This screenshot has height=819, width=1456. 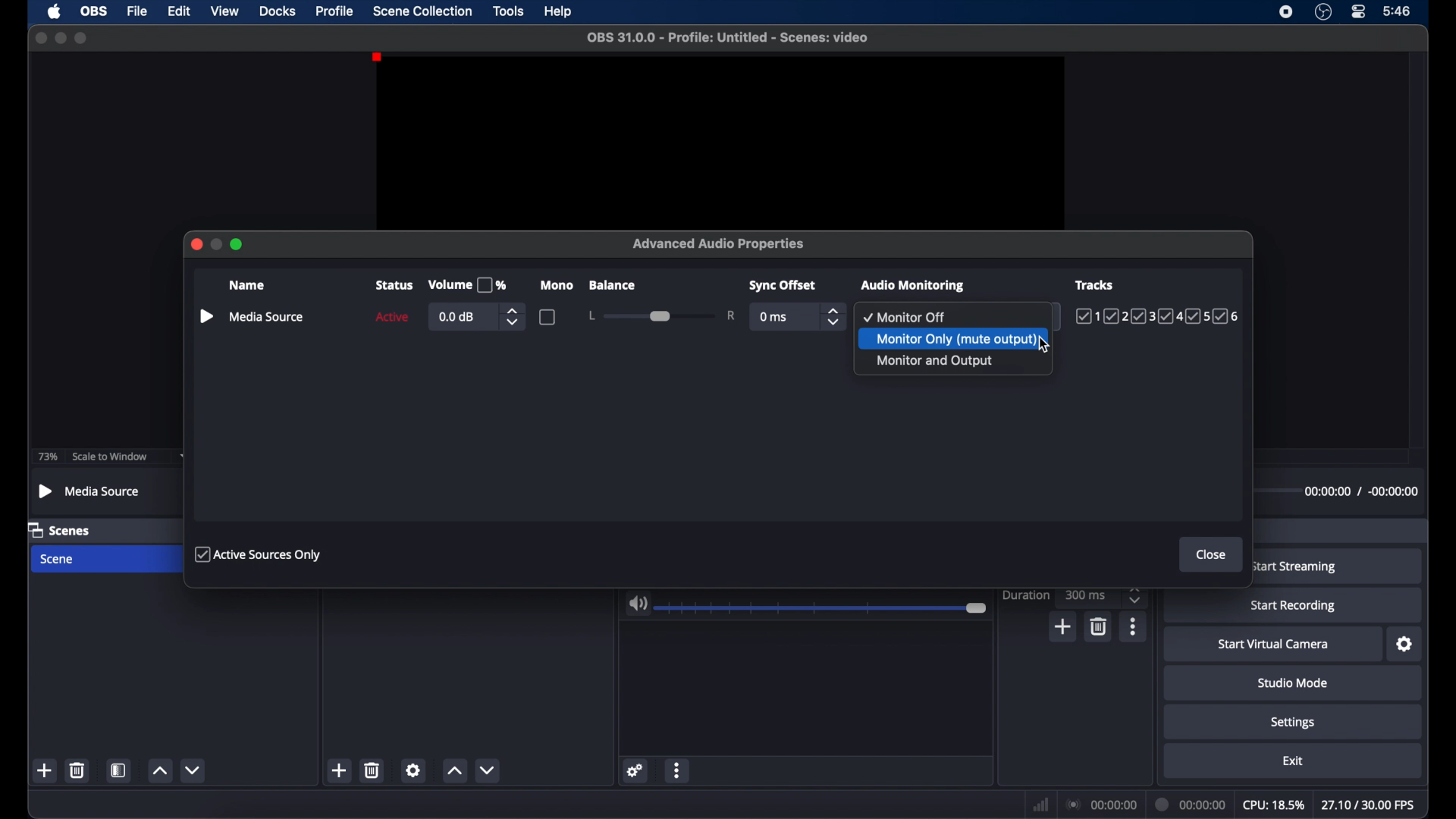 I want to click on more options, so click(x=1134, y=626).